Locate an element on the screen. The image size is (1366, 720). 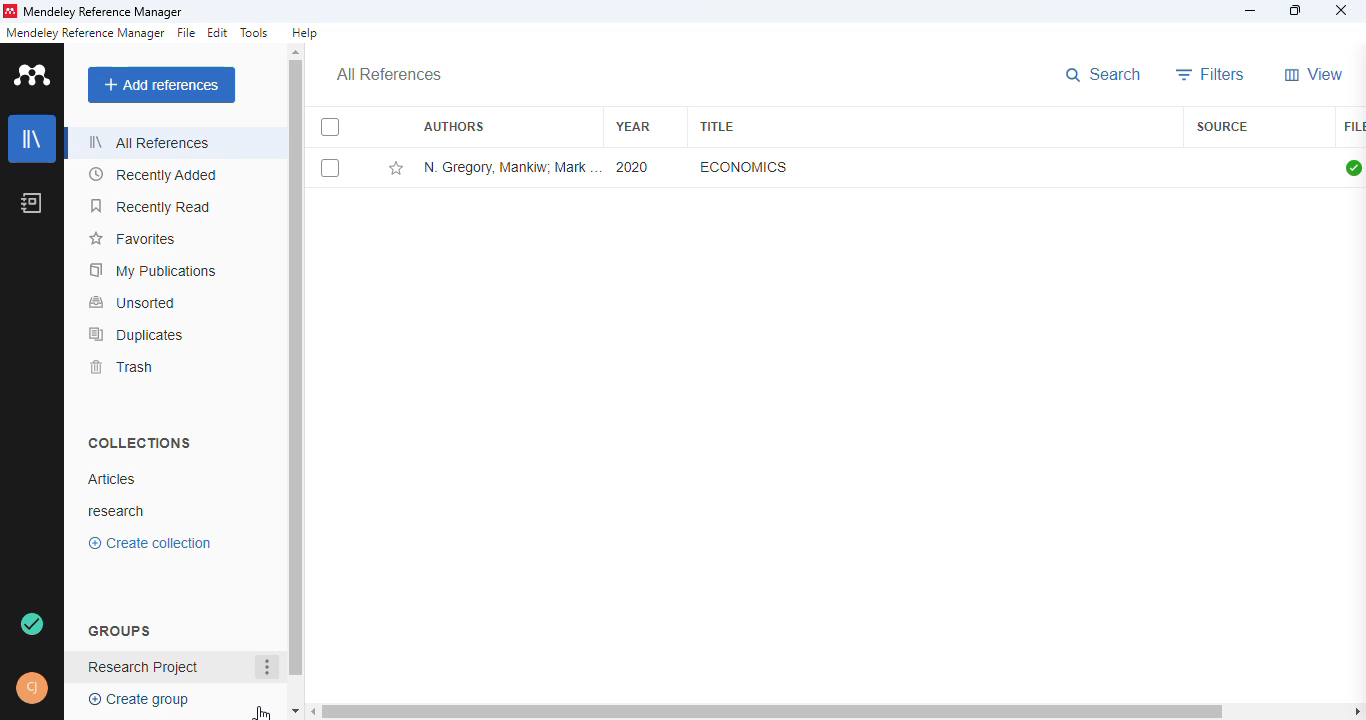
create group is located at coordinates (138, 699).